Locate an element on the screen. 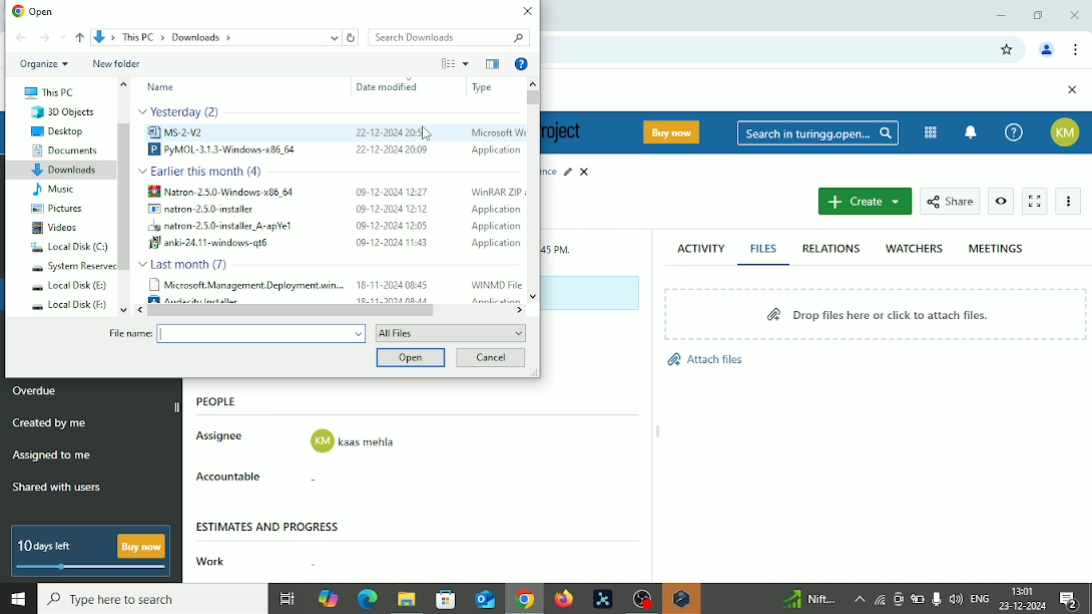  Forward is located at coordinates (41, 38).